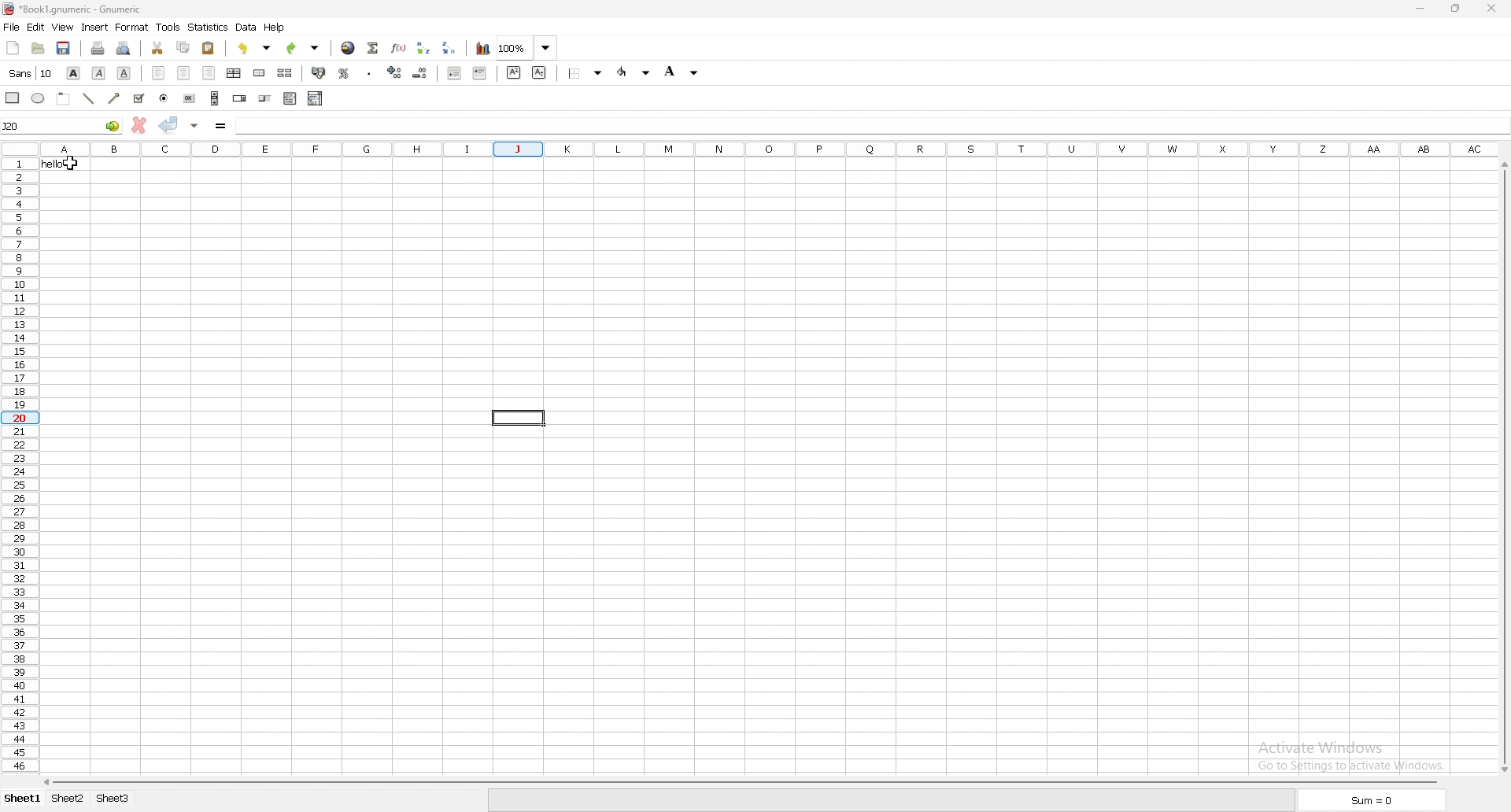  What do you see at coordinates (64, 98) in the screenshot?
I see `frame` at bounding box center [64, 98].